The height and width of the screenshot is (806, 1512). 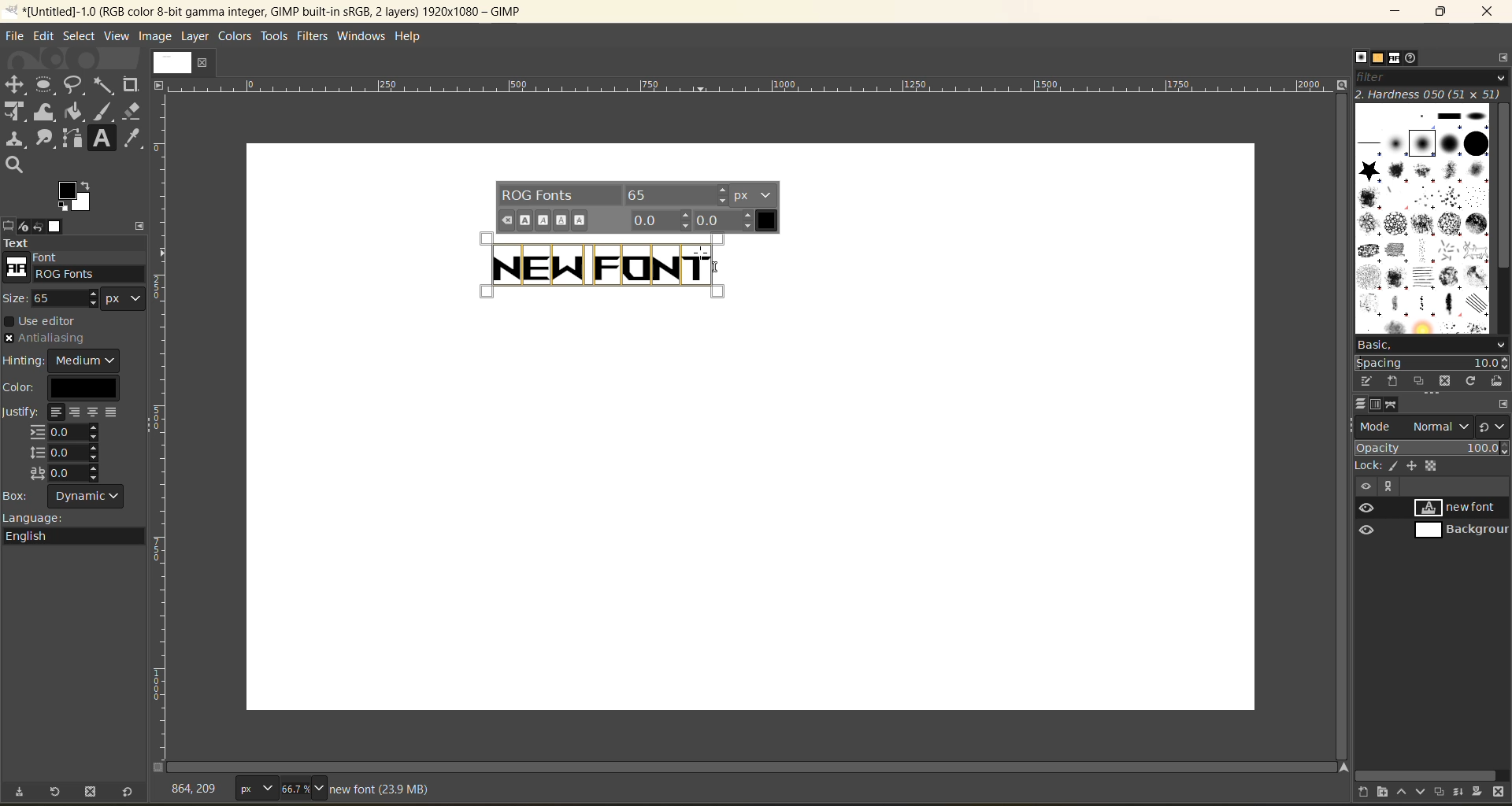 I want to click on channels, so click(x=1378, y=406).